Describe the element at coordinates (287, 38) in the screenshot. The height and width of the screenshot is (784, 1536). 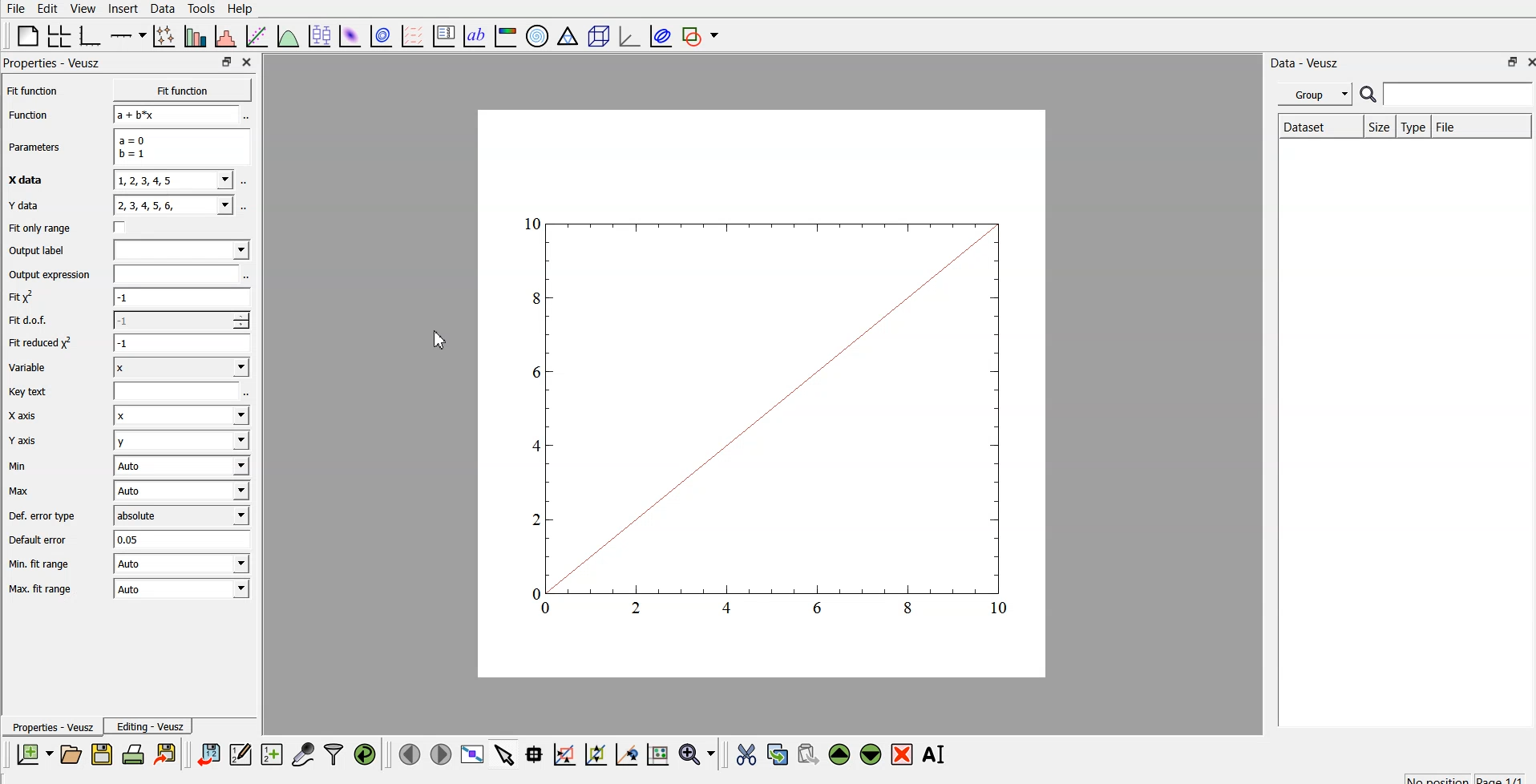
I see `plot a function` at that location.